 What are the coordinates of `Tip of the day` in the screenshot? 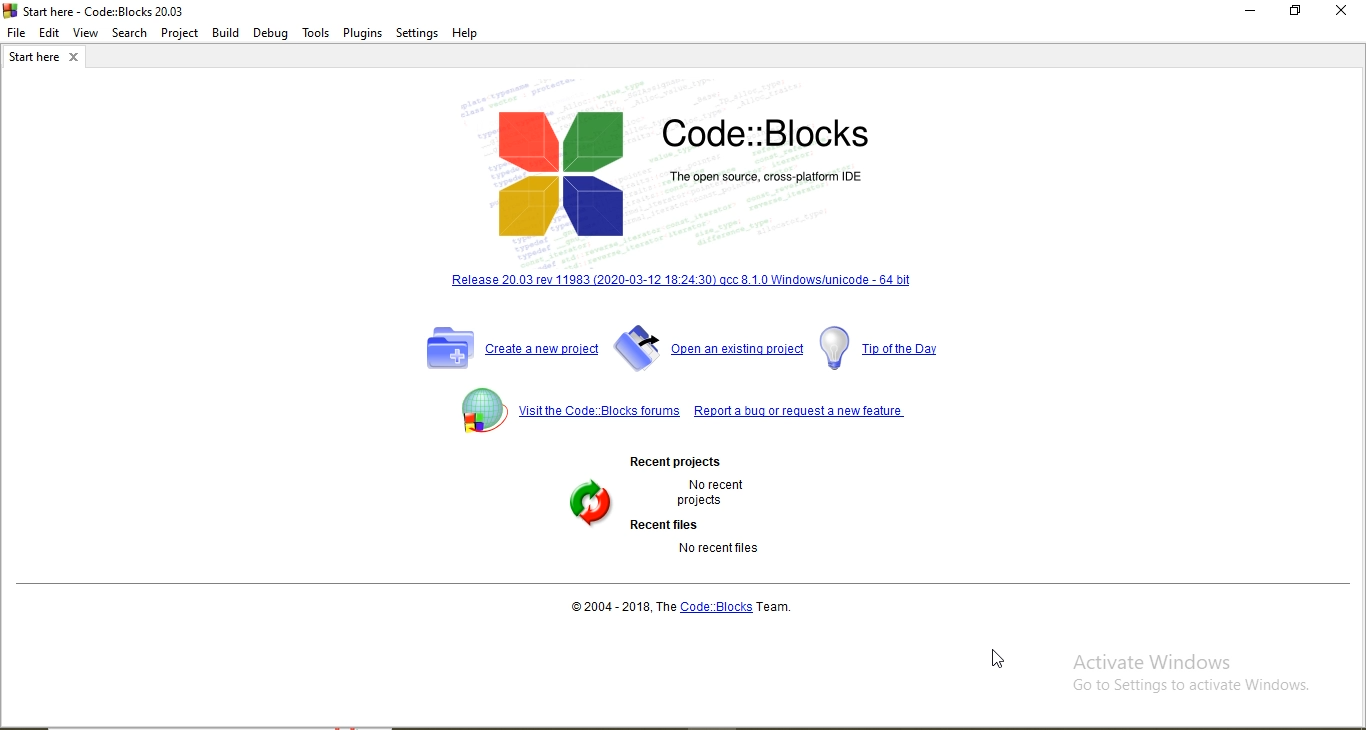 It's located at (885, 348).